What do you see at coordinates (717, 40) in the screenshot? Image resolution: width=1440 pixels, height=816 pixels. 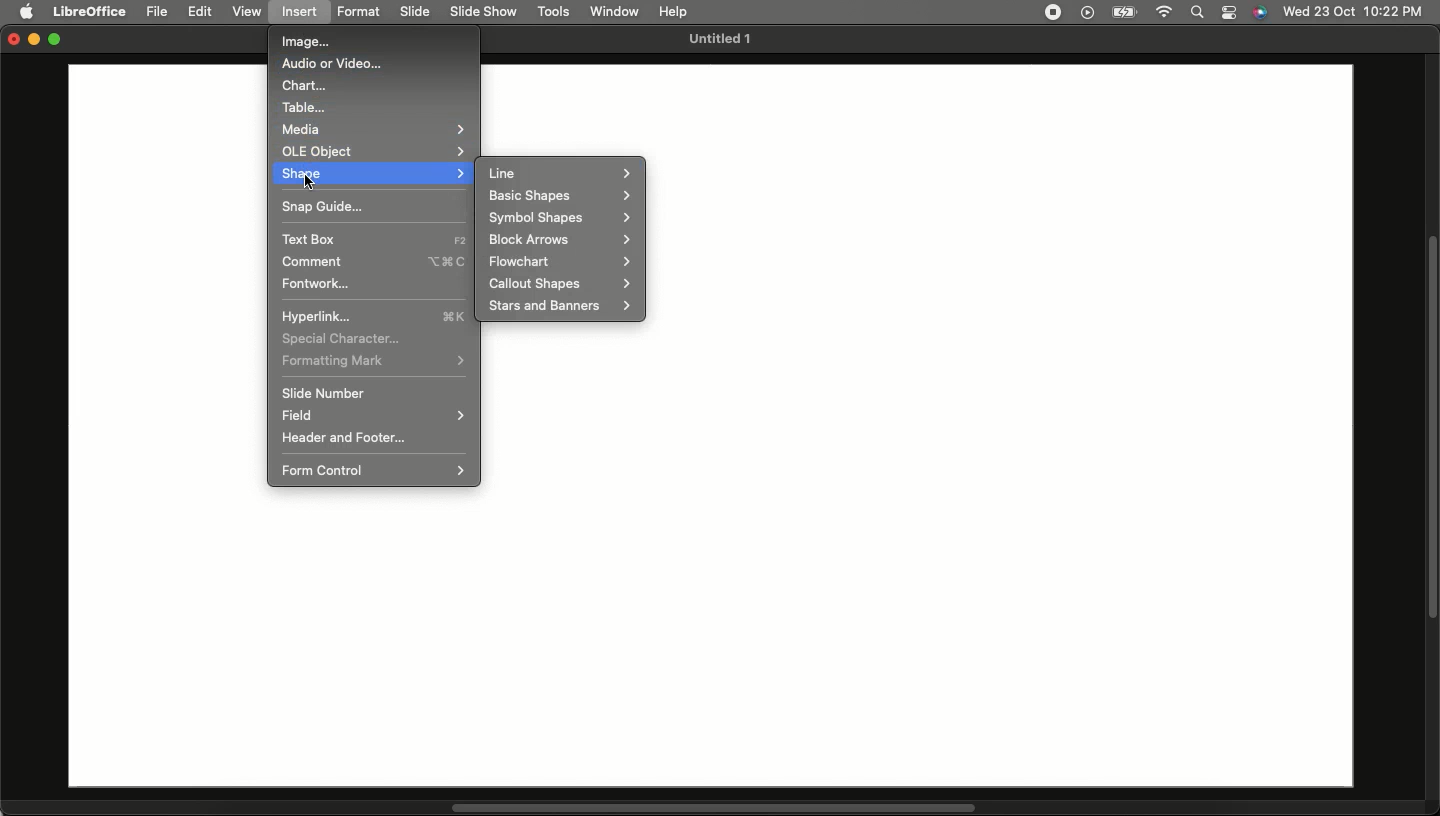 I see `Untitled 1` at bounding box center [717, 40].